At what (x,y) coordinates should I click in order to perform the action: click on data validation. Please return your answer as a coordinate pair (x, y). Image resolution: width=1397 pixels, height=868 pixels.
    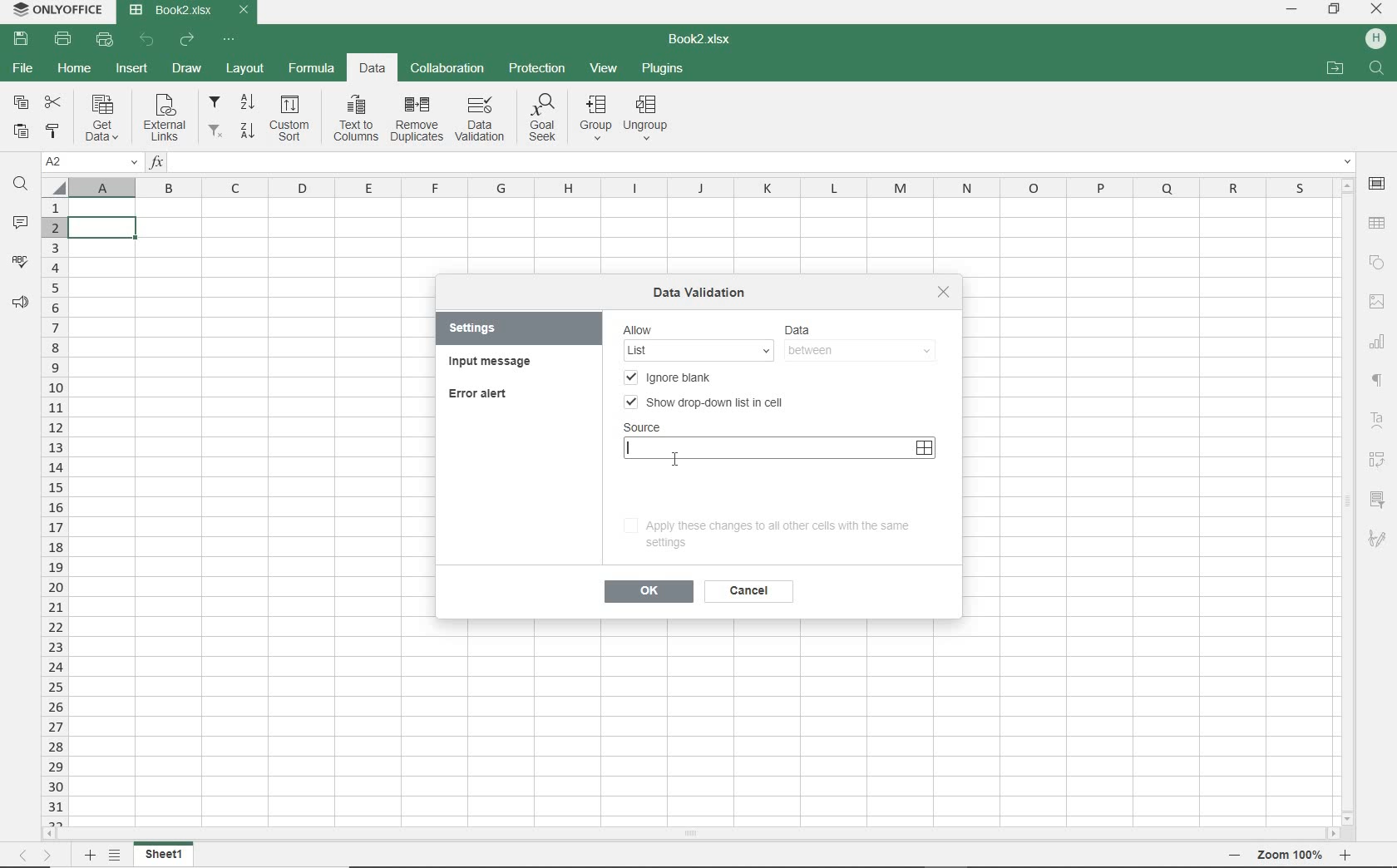
    Looking at the image, I should click on (480, 117).